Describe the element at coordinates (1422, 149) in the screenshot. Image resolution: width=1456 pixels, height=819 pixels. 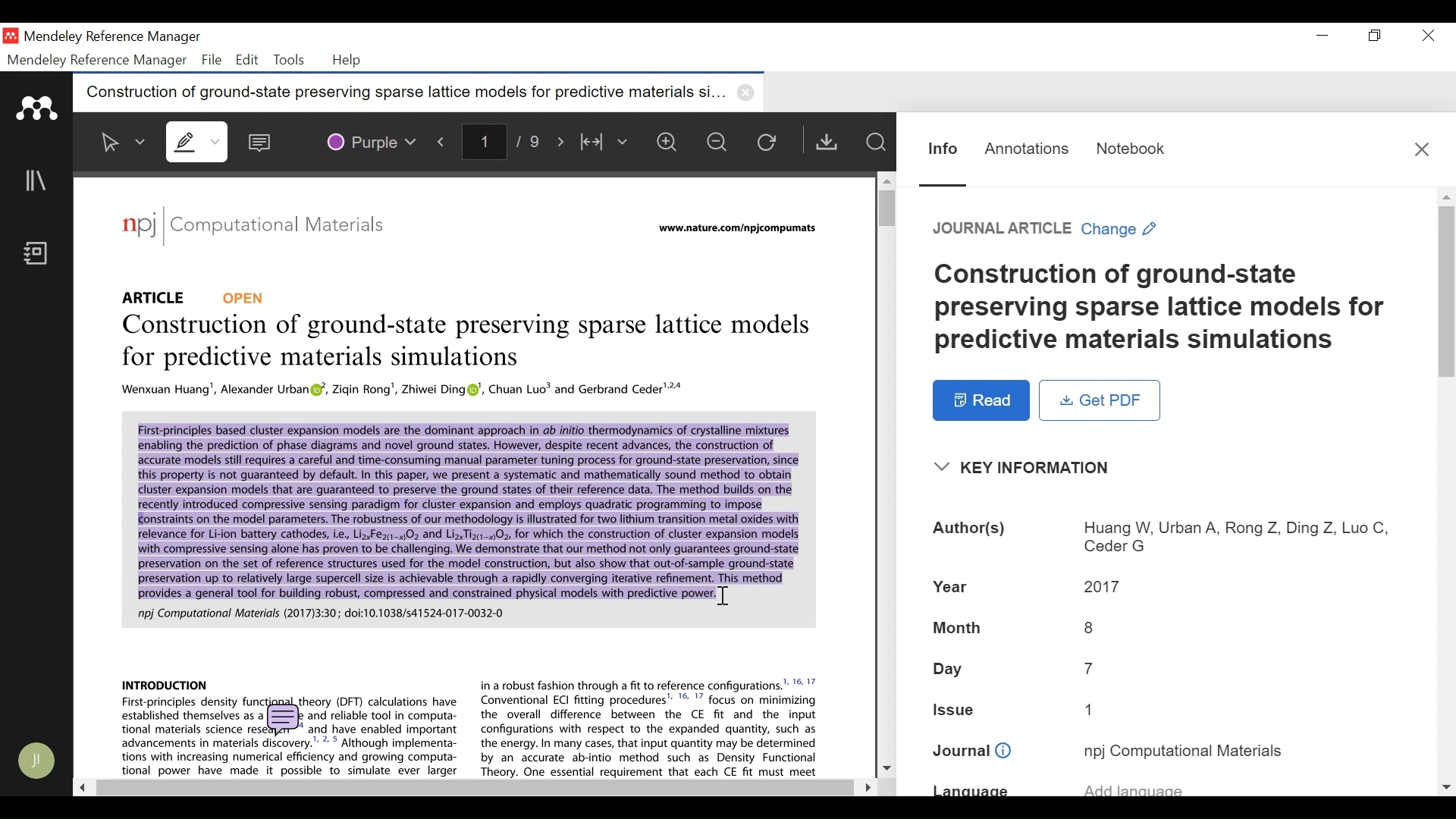
I see `Close` at that location.